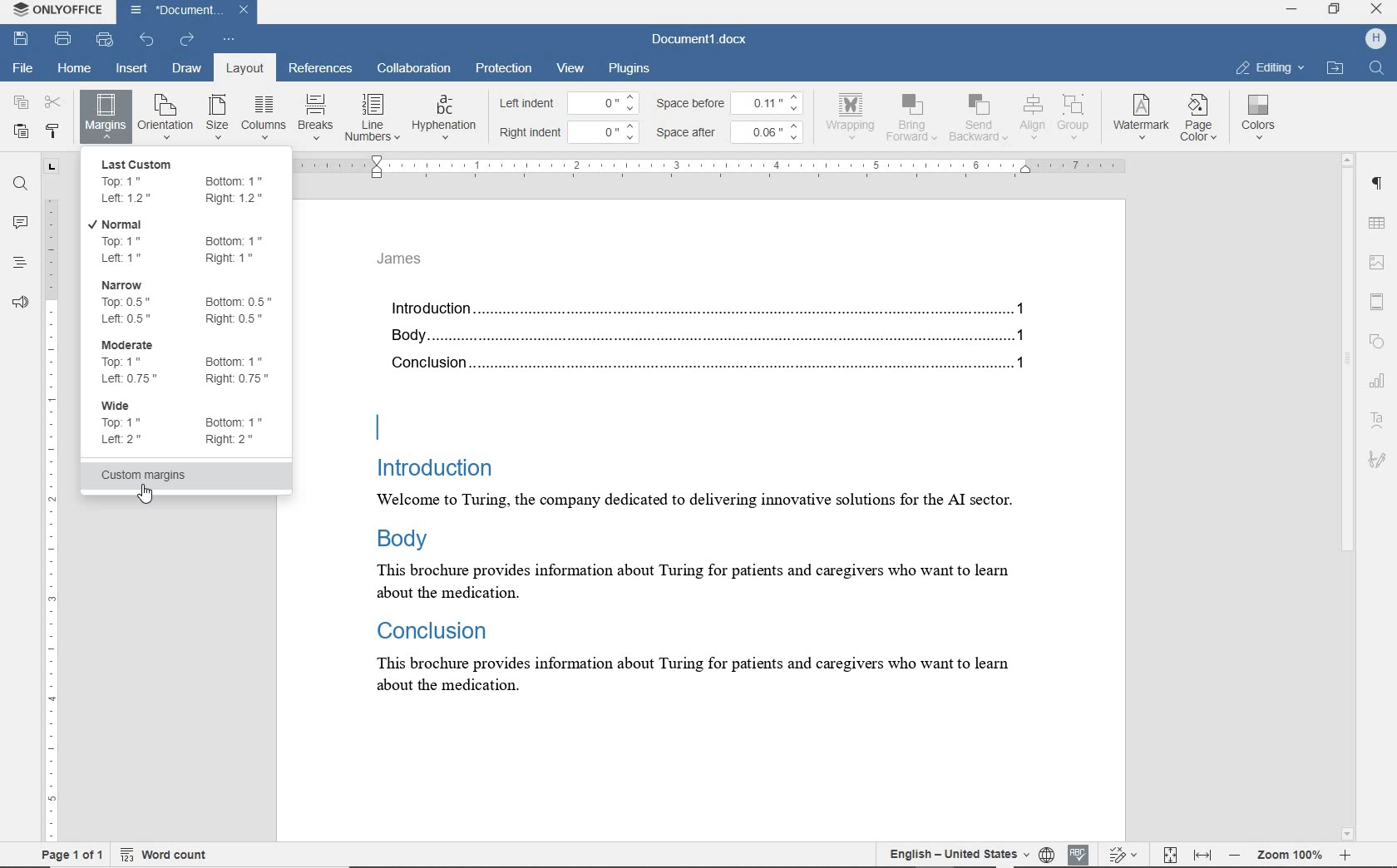 This screenshot has width=1397, height=868. What do you see at coordinates (1046, 852) in the screenshot?
I see `set document language` at bounding box center [1046, 852].